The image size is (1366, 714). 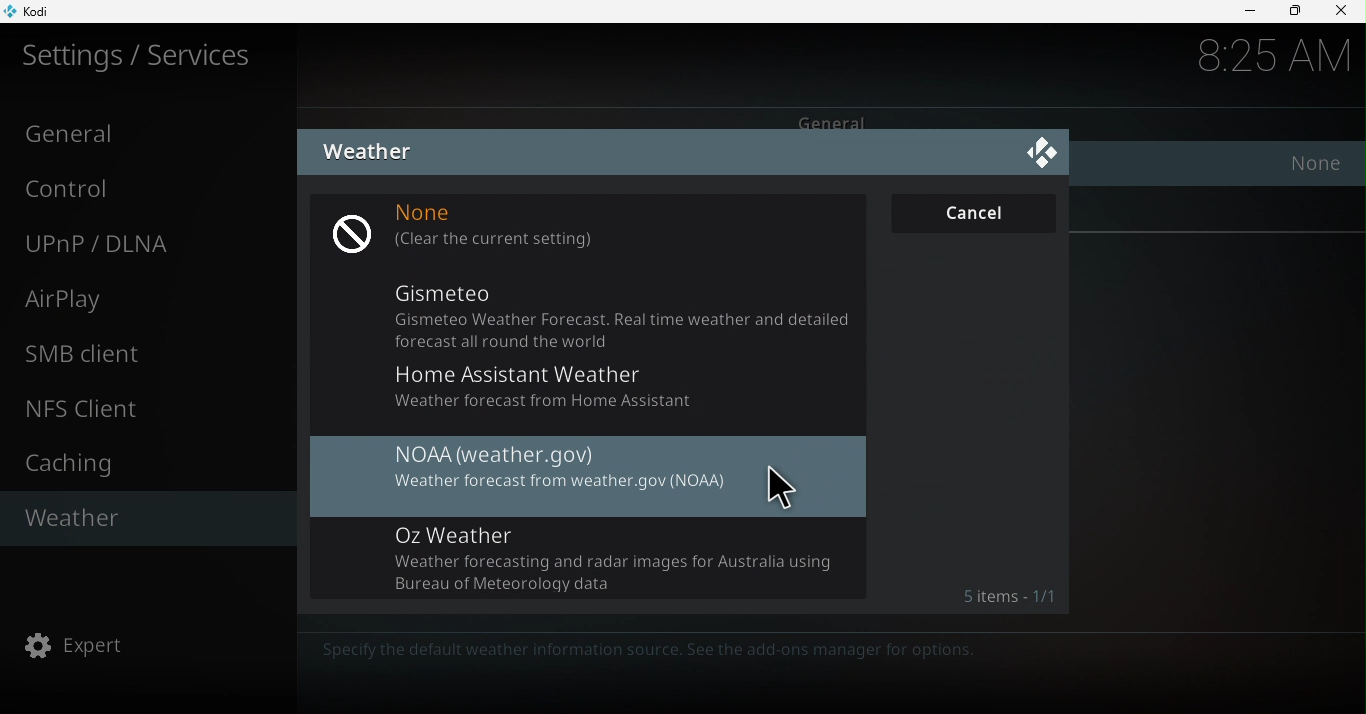 What do you see at coordinates (566, 390) in the screenshot?
I see `Home Assistant Weather
Weather forecast from Home Assistant` at bounding box center [566, 390].